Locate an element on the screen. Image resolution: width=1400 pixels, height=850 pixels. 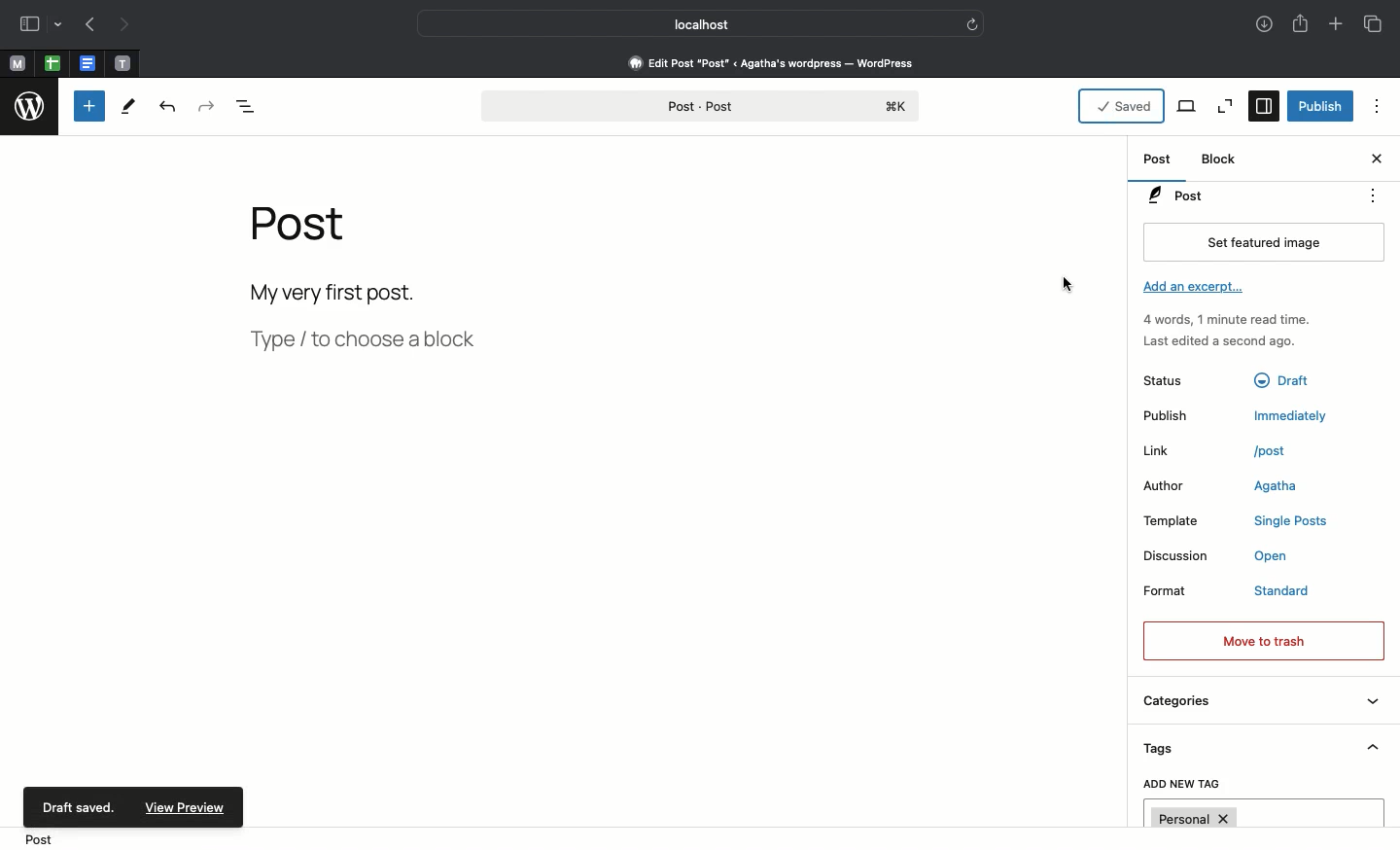
drop-down is located at coordinates (58, 23).